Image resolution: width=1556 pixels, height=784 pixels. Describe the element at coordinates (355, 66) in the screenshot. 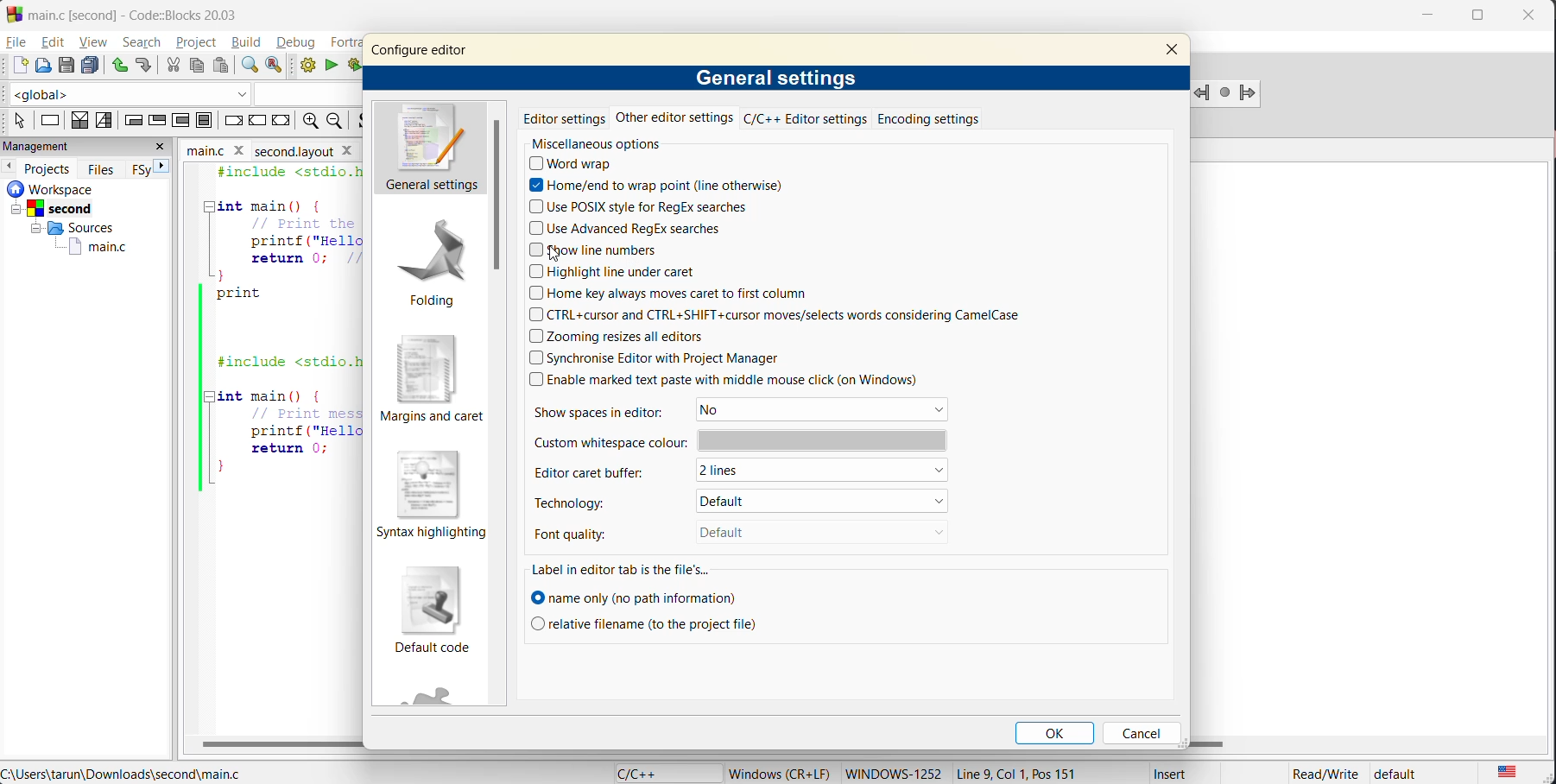

I see `build and run` at that location.